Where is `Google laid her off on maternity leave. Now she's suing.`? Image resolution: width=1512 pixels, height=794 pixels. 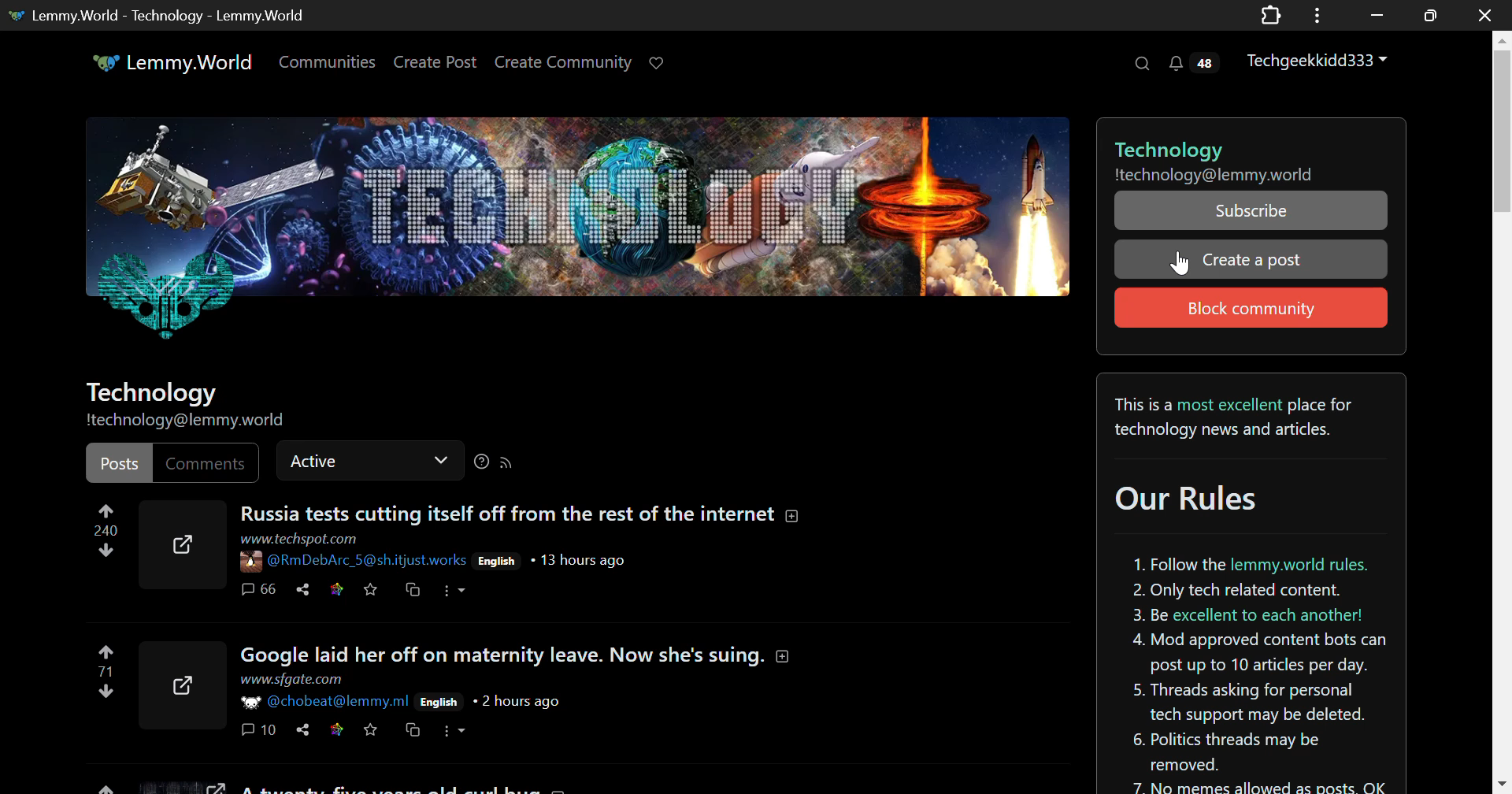 Google laid her off on maternity leave. Now she's suing. is located at coordinates (518, 655).